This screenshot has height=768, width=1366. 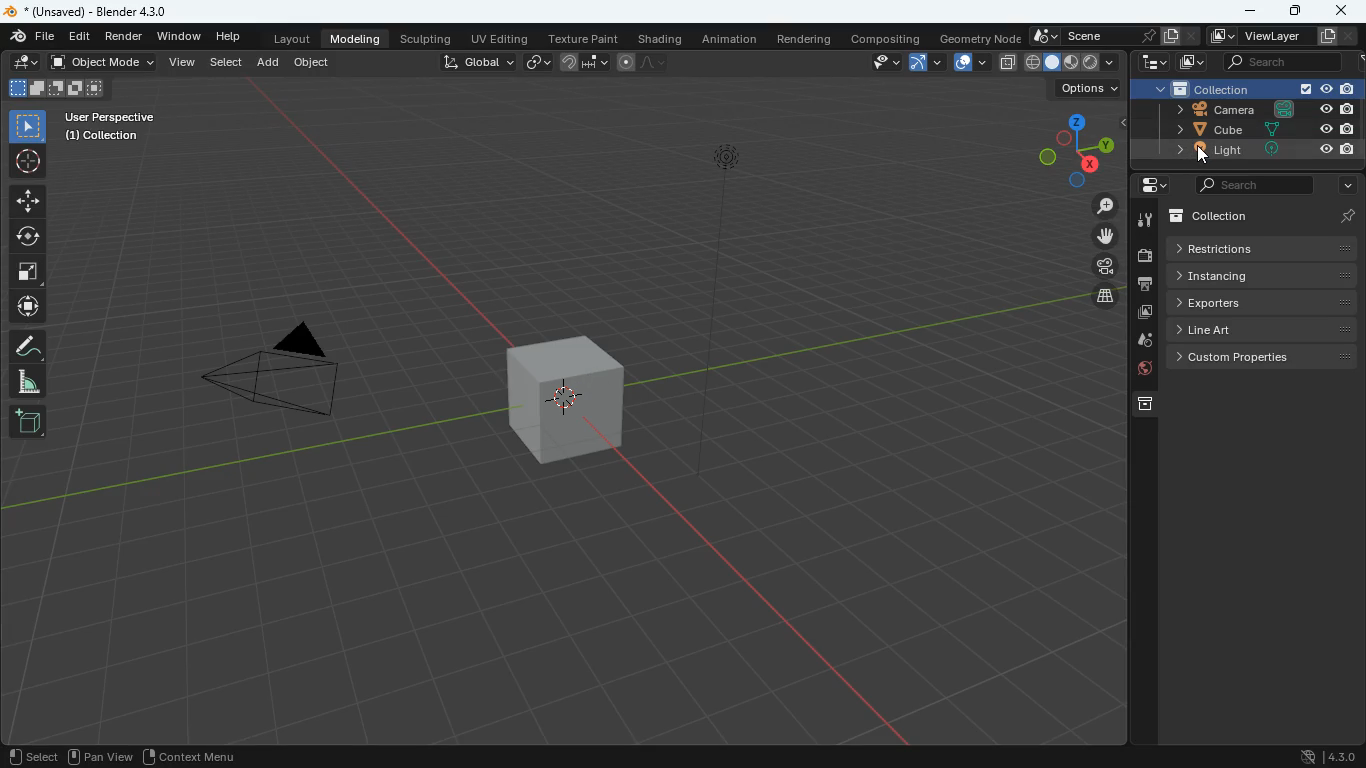 What do you see at coordinates (26, 238) in the screenshot?
I see `rotate` at bounding box center [26, 238].